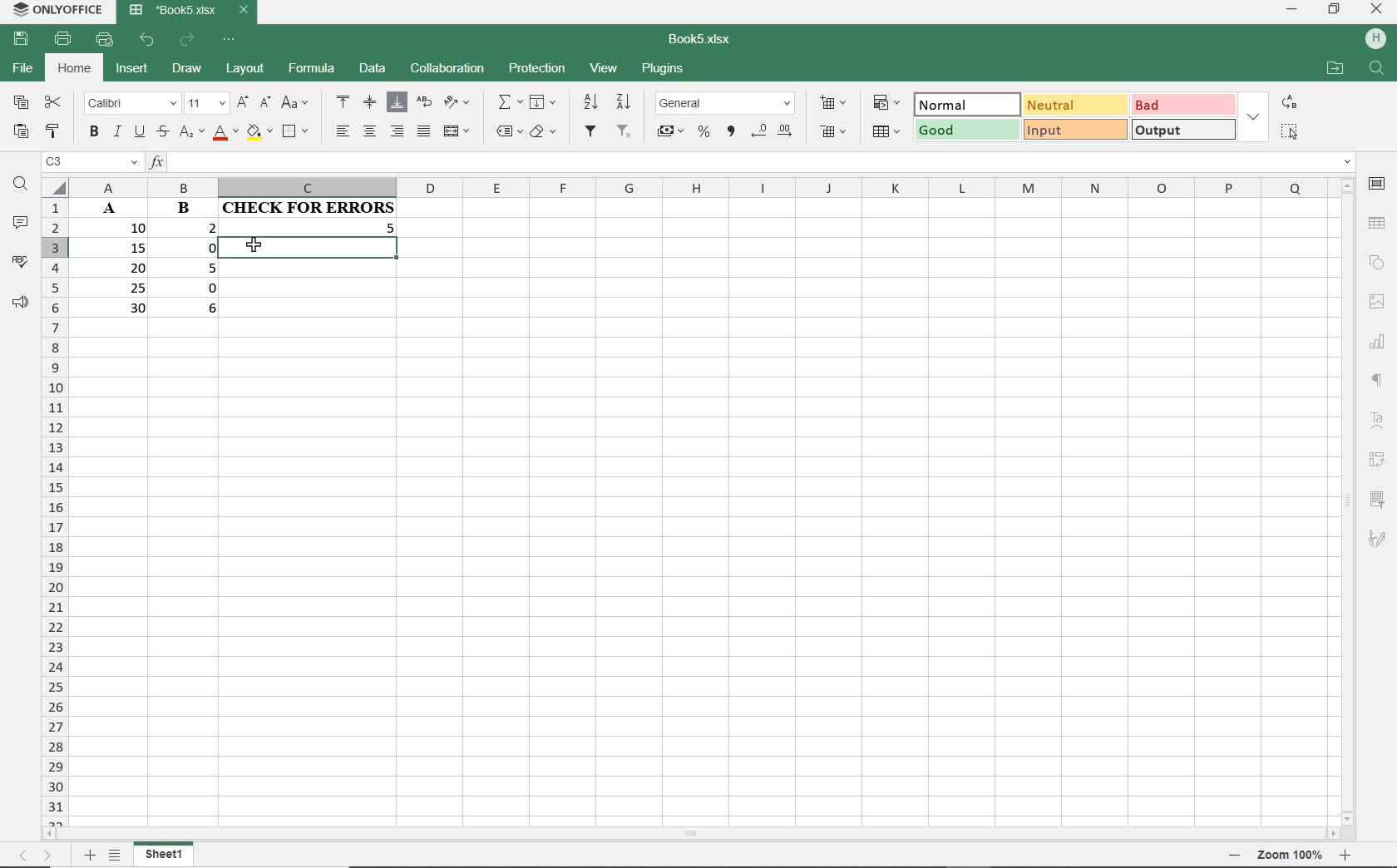 This screenshot has height=868, width=1397. I want to click on UNDERLINE, so click(139, 132).